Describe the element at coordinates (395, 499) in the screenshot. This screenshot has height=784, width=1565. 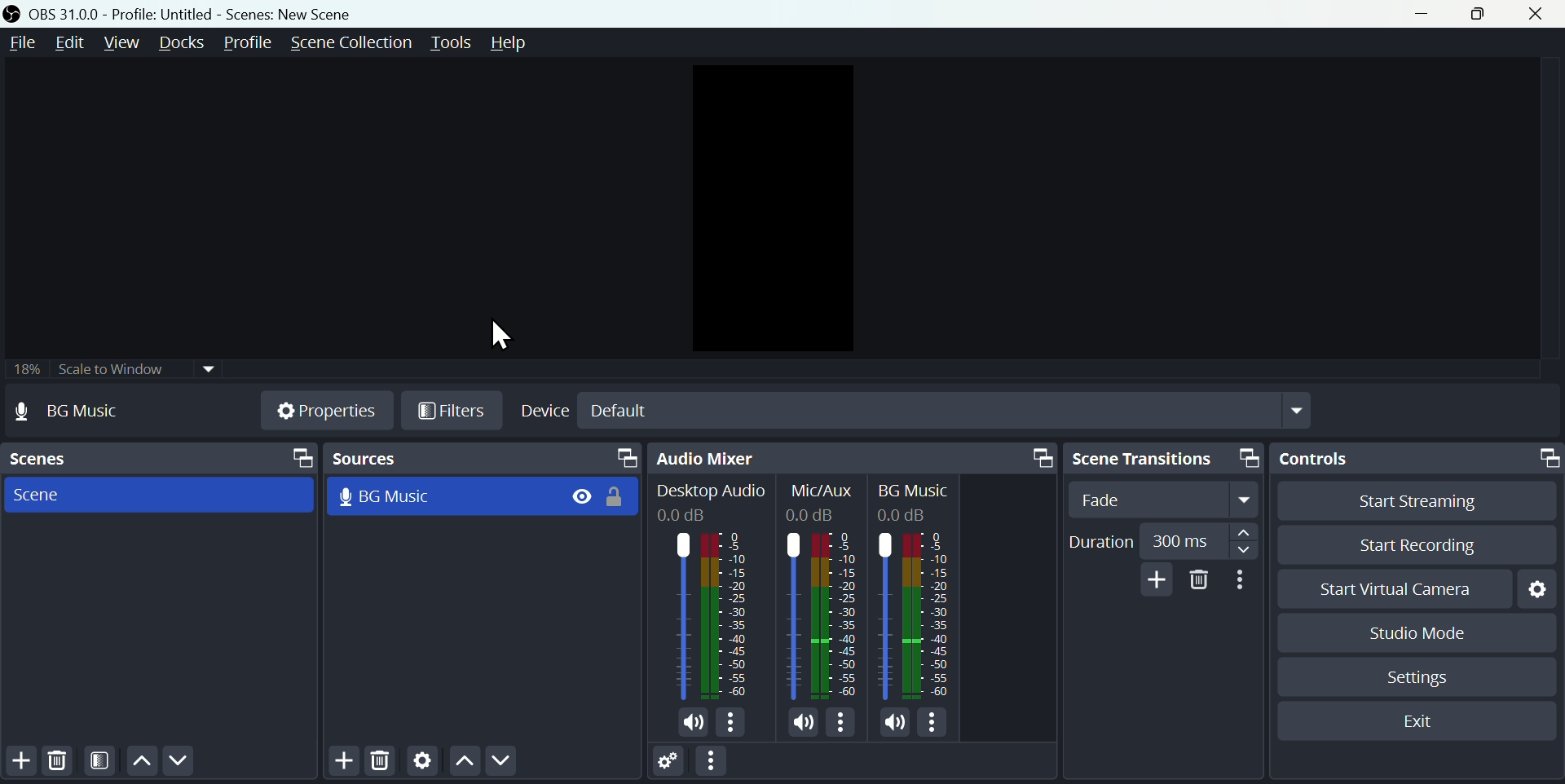
I see `BG music` at that location.